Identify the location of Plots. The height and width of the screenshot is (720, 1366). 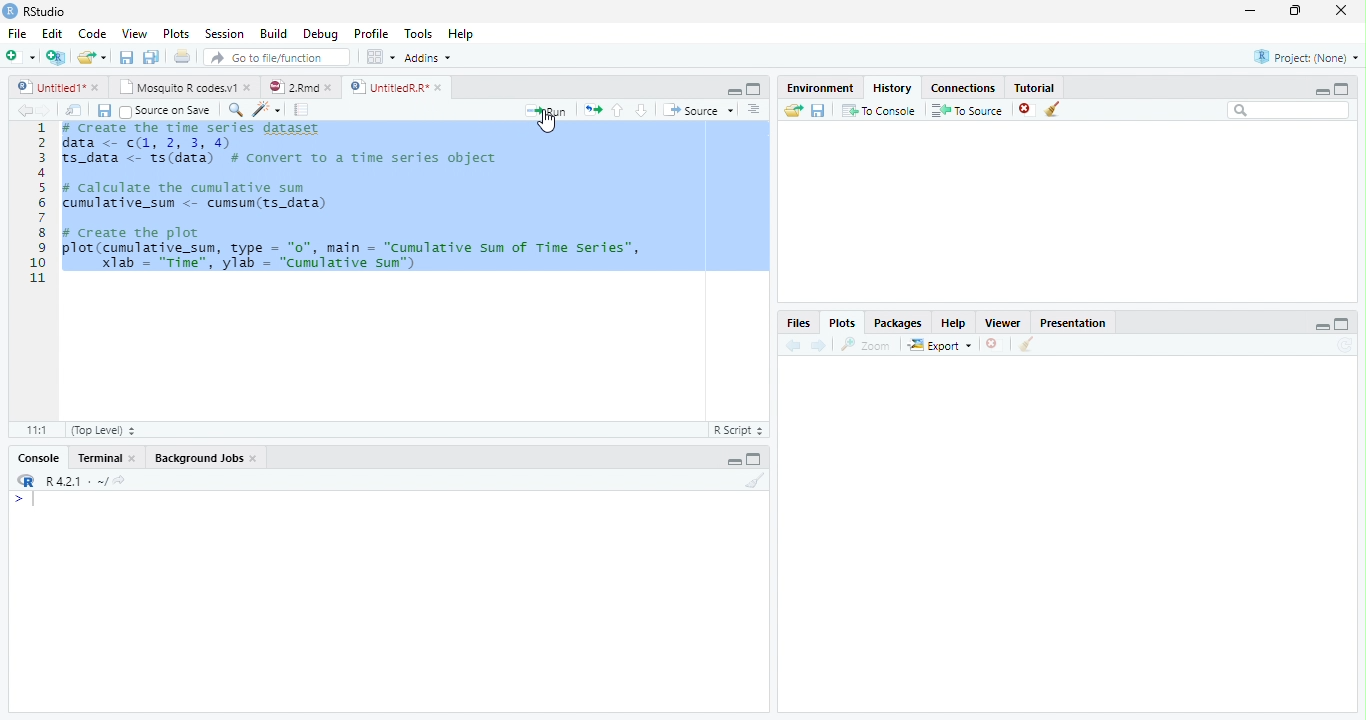
(843, 322).